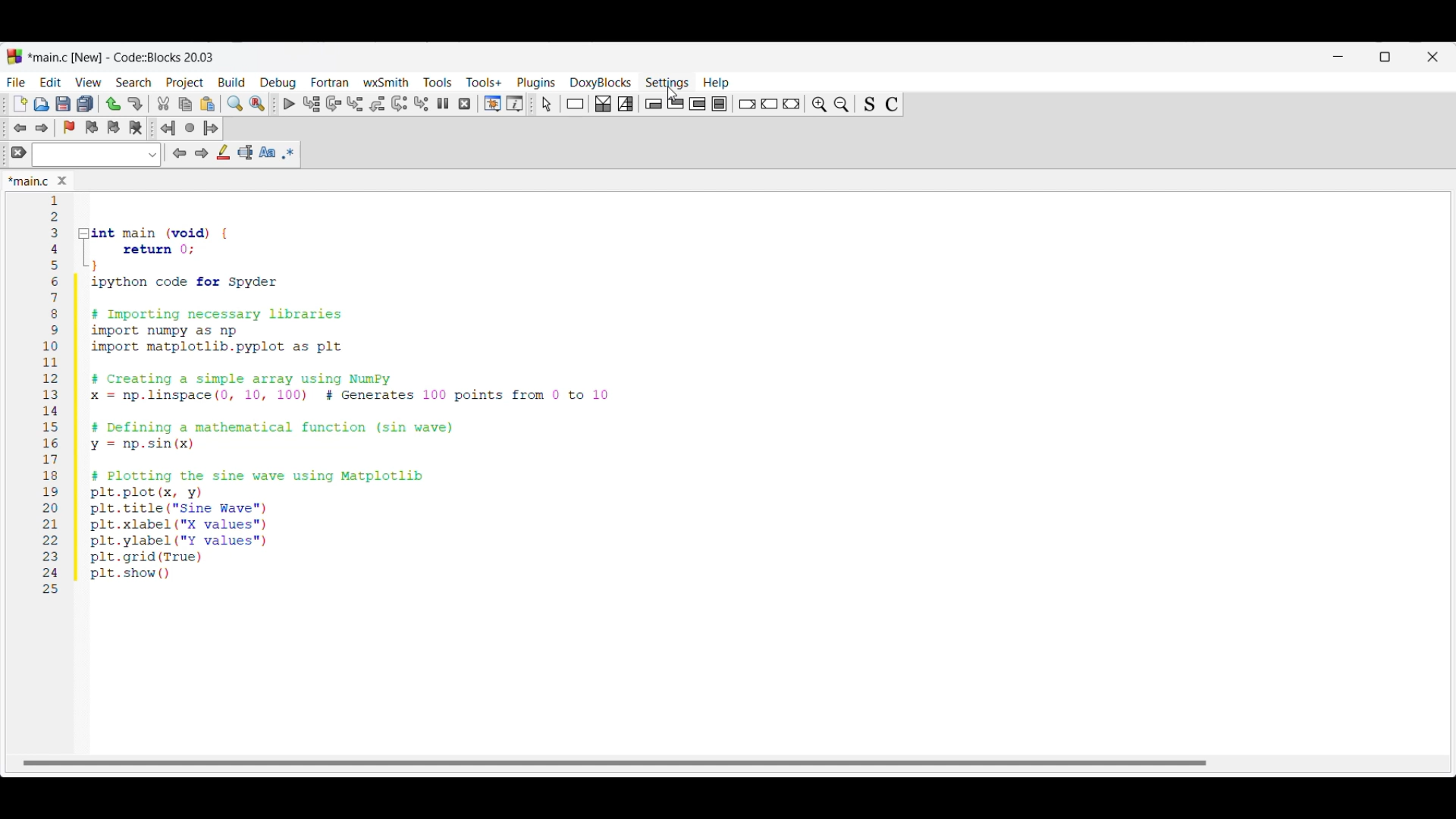 This screenshot has height=819, width=1456. What do you see at coordinates (124, 57) in the screenshot?
I see `Project name, software name and version` at bounding box center [124, 57].